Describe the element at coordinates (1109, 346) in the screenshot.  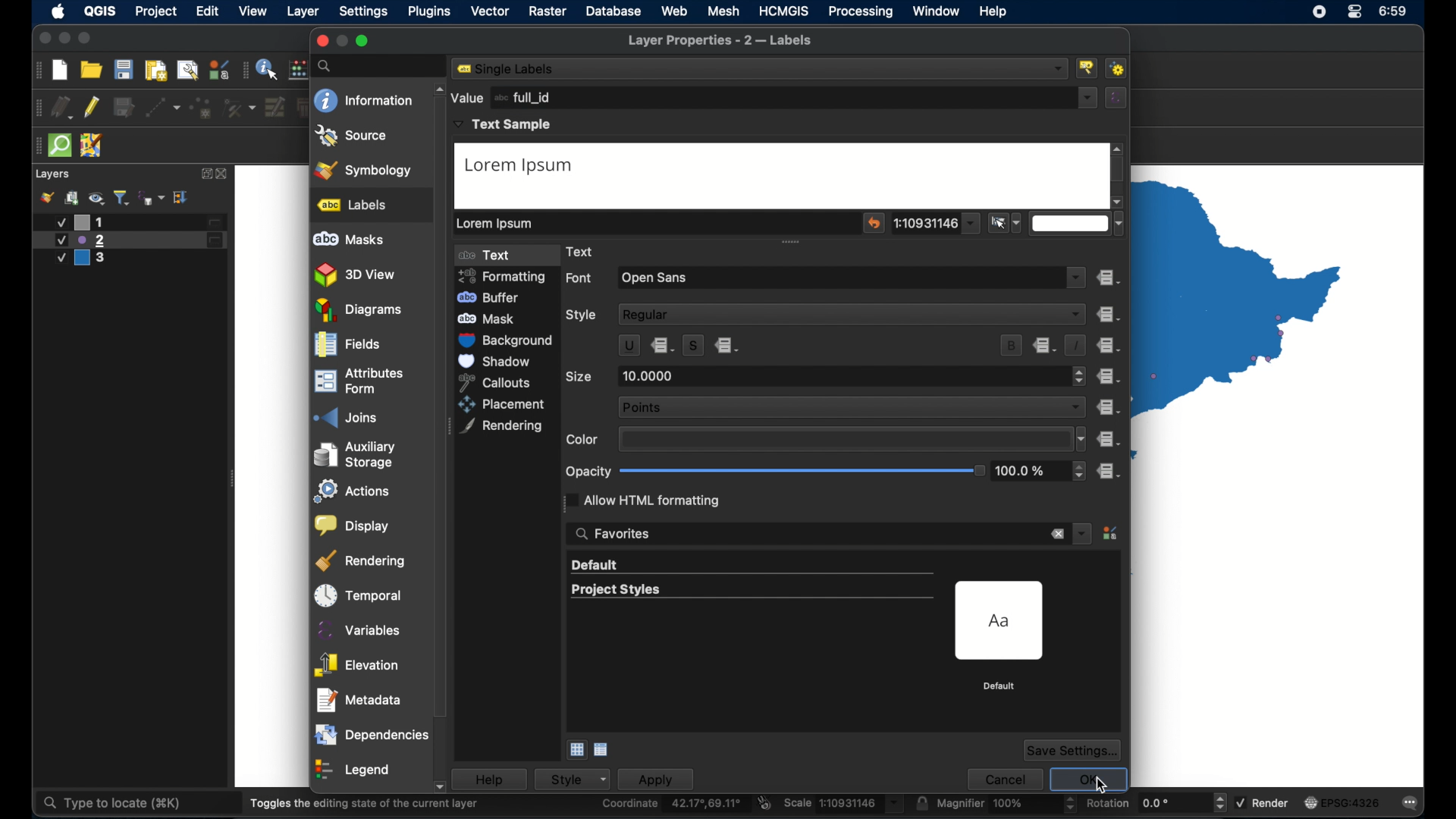
I see `data defined override` at that location.